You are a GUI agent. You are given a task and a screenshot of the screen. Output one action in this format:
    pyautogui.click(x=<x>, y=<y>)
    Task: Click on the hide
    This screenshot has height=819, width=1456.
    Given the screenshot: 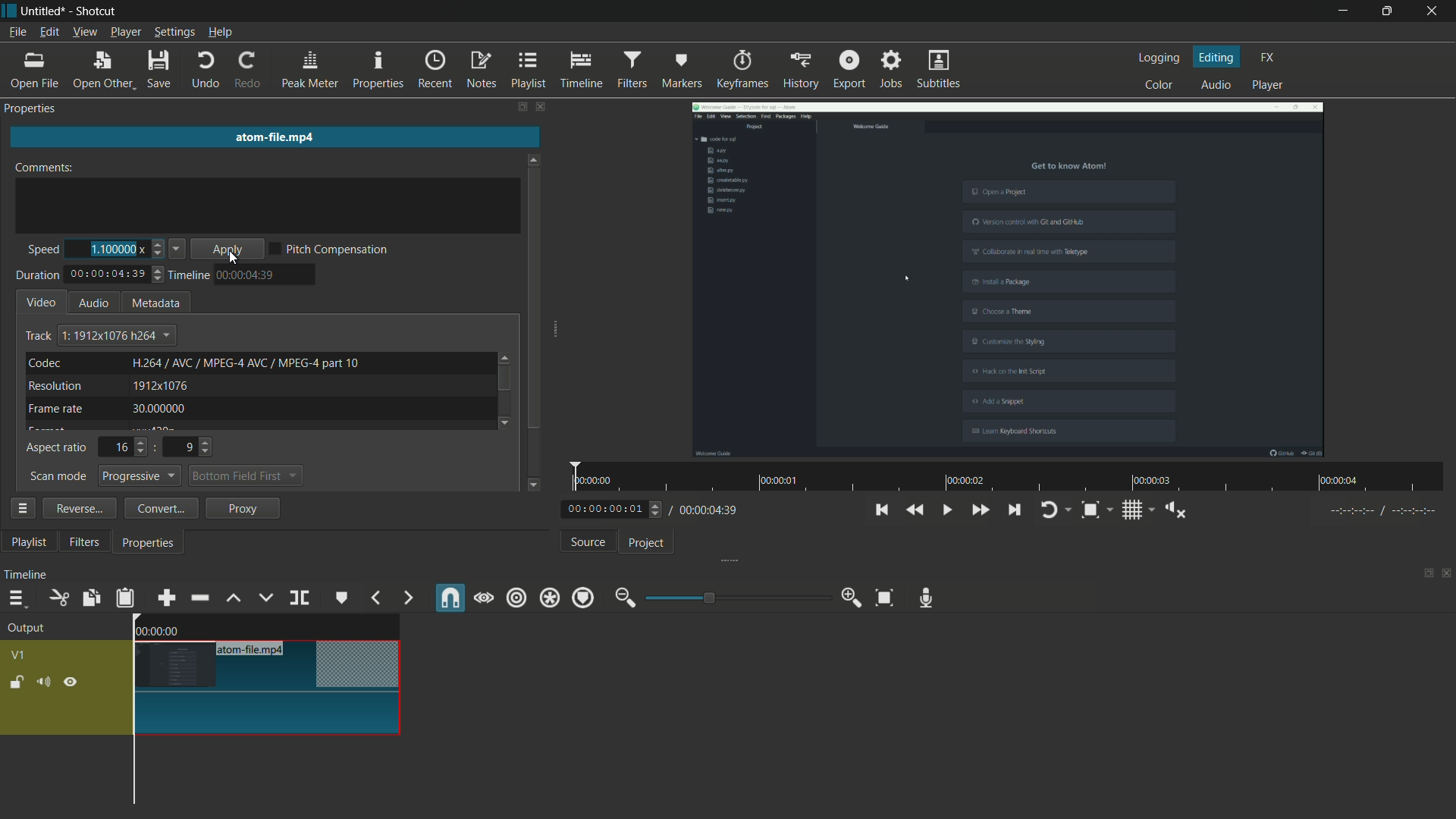 What is the action you would take?
    pyautogui.click(x=71, y=683)
    